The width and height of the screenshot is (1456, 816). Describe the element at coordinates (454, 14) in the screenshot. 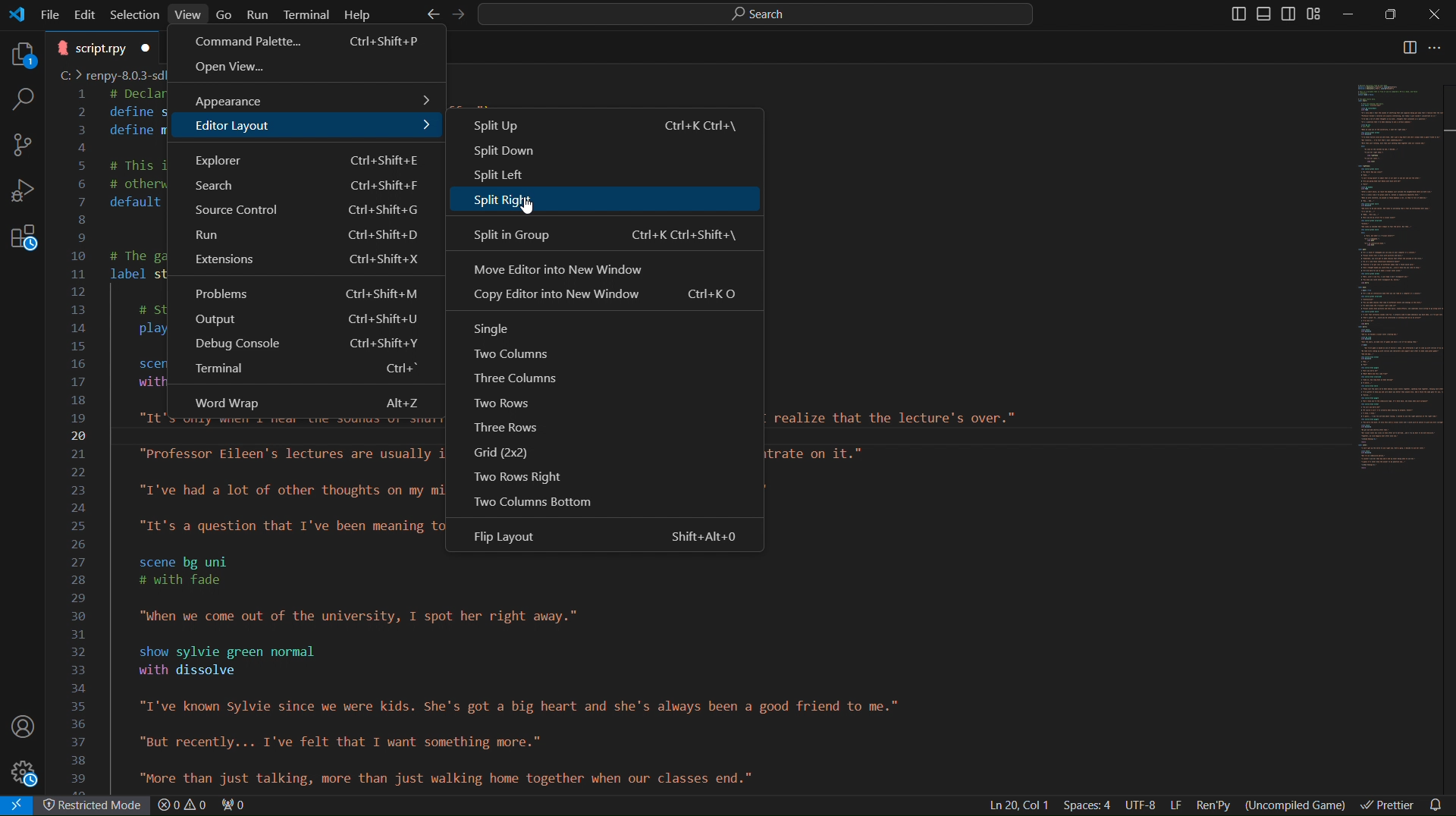

I see `Forward` at that location.